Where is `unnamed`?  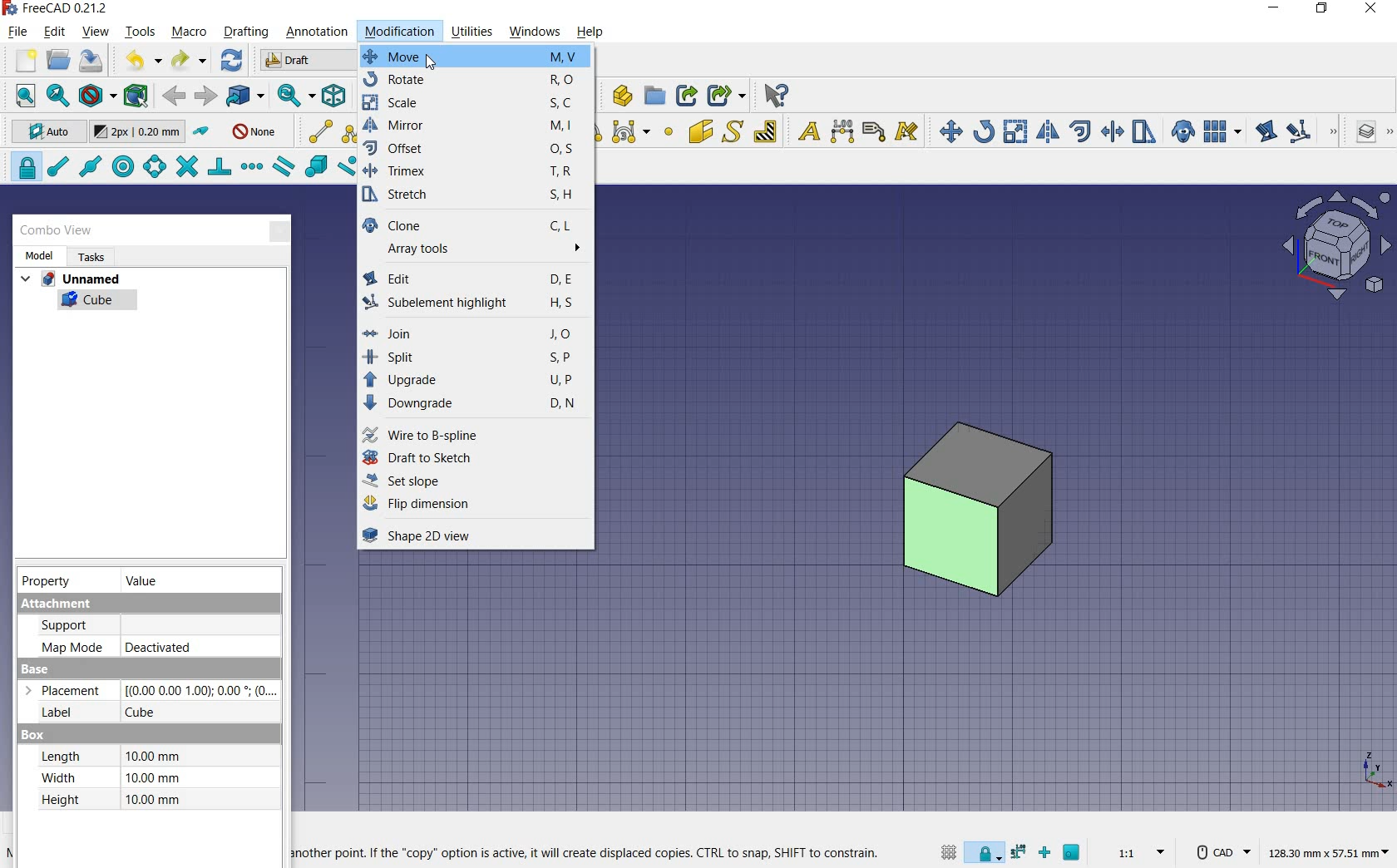
unnamed is located at coordinates (70, 279).